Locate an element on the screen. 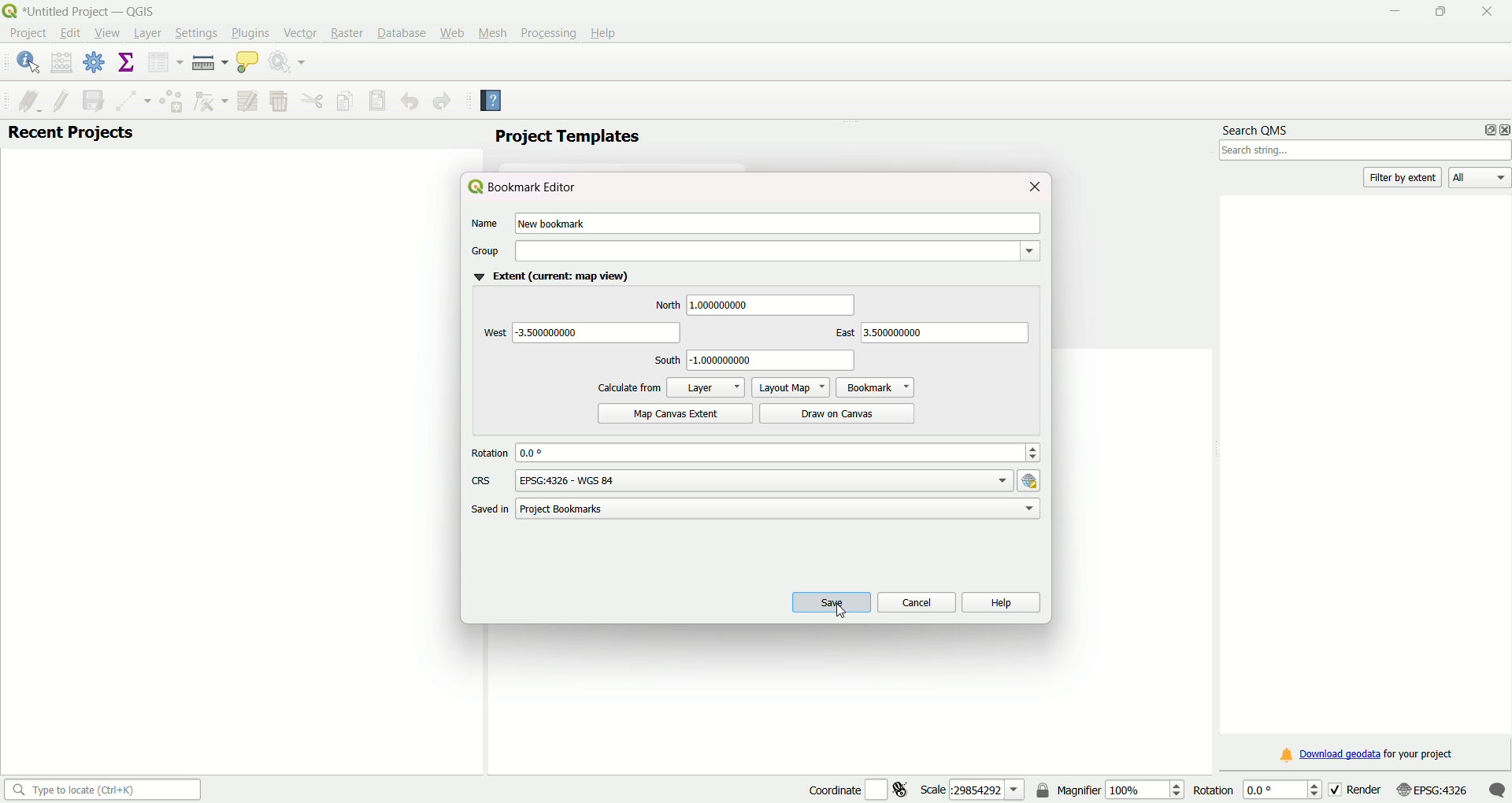  cut feature is located at coordinates (313, 101).